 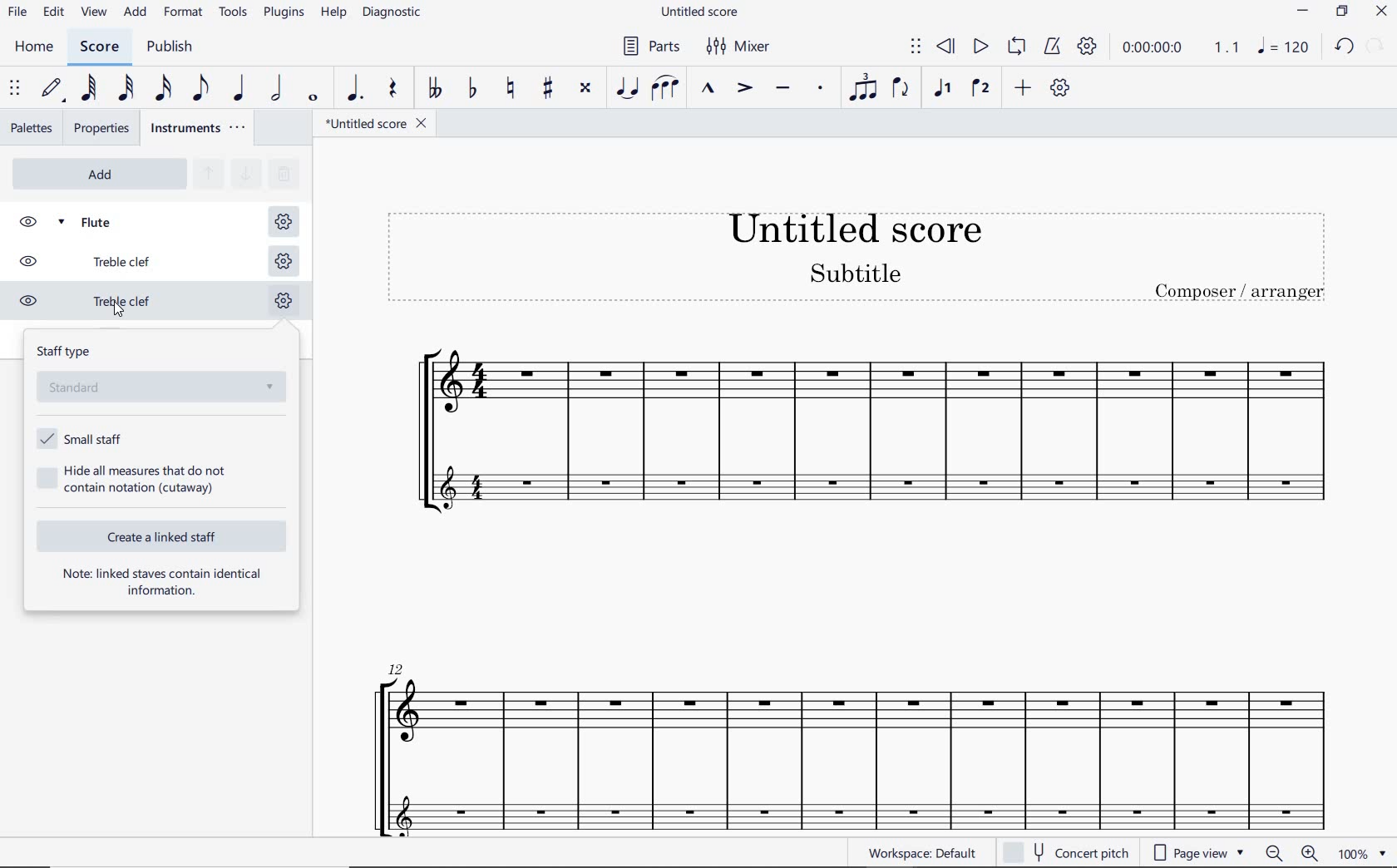 What do you see at coordinates (665, 88) in the screenshot?
I see `SLUR` at bounding box center [665, 88].